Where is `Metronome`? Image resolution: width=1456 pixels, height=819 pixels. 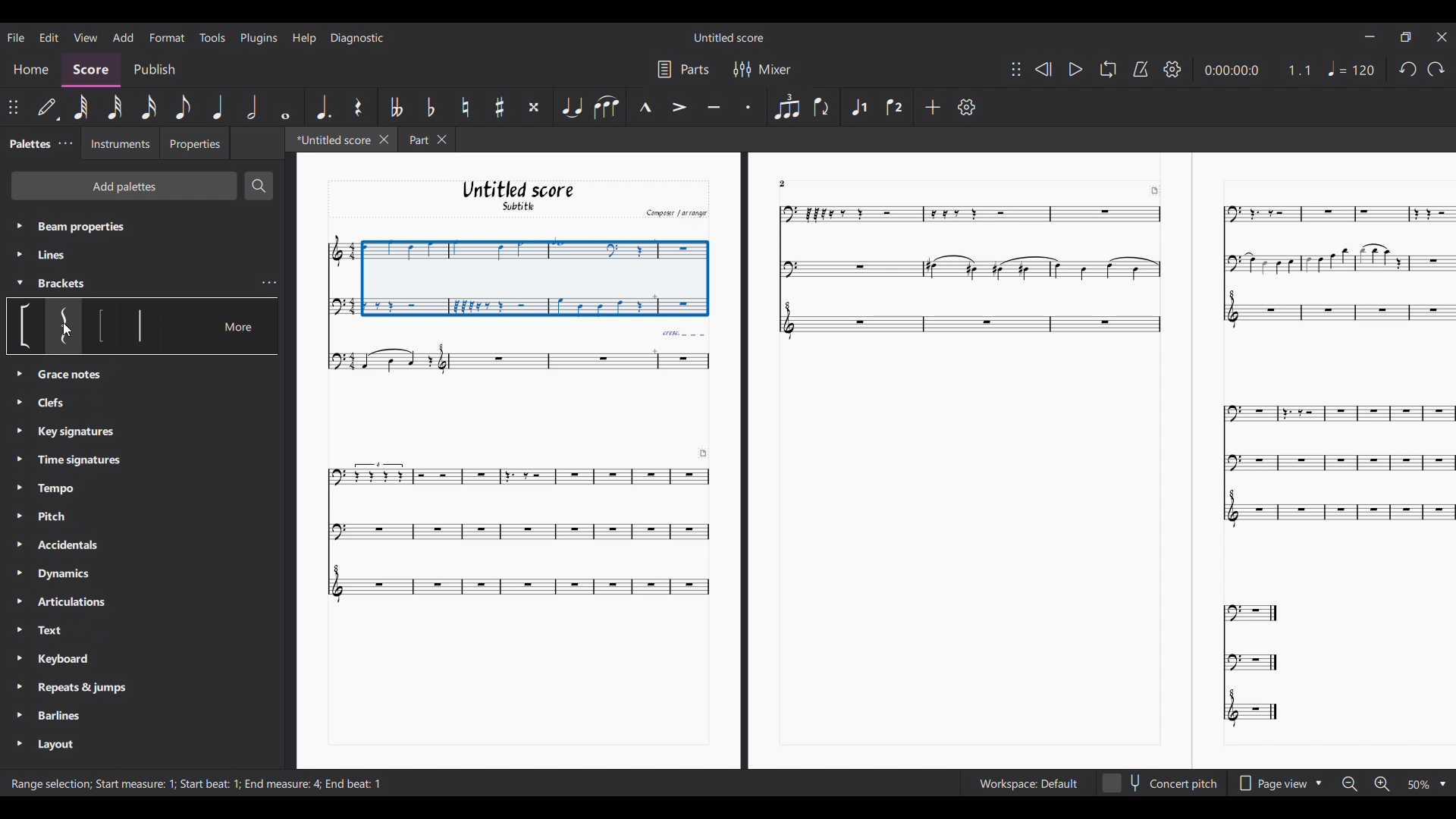 Metronome is located at coordinates (1141, 69).